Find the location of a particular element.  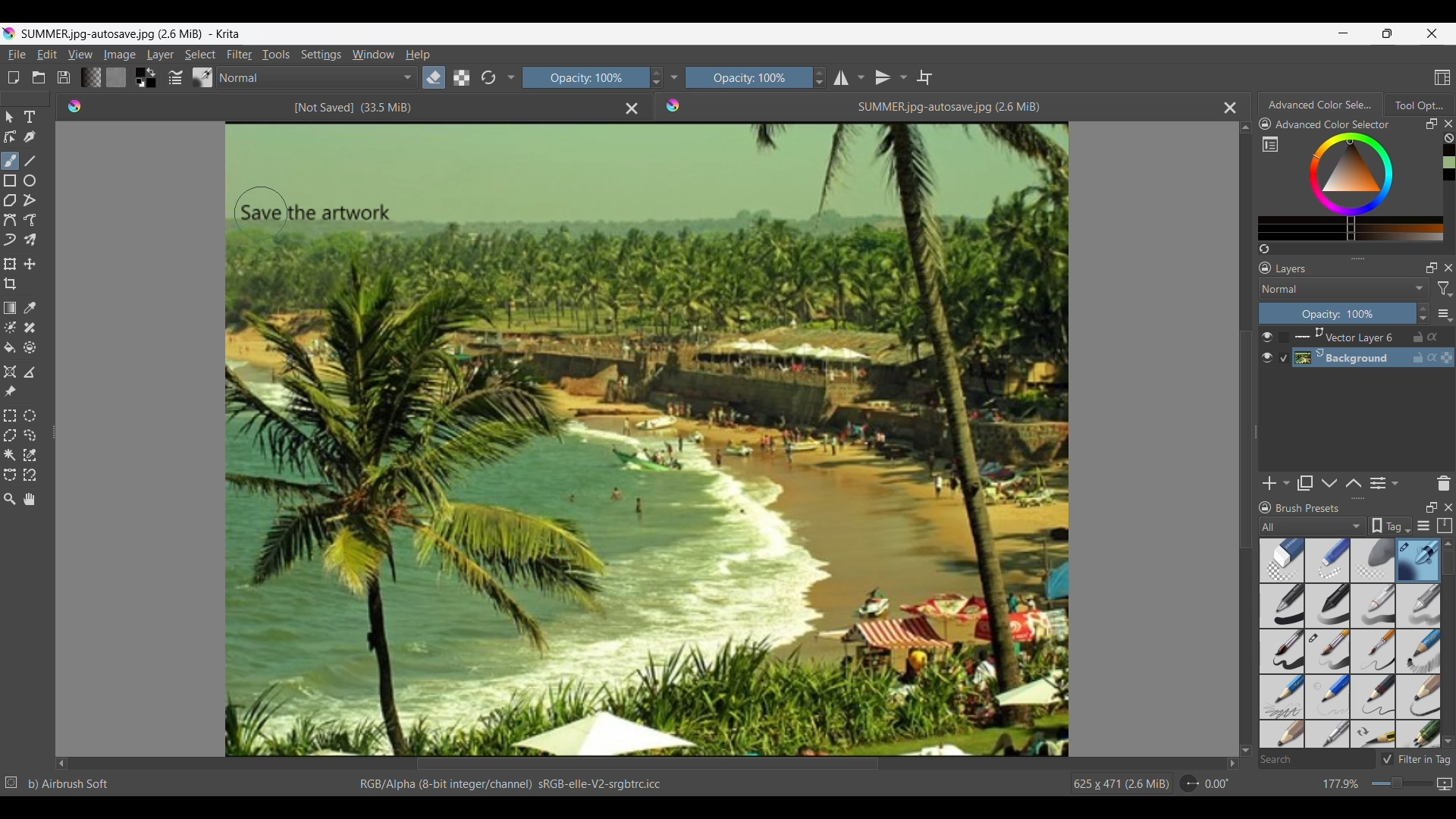

Move layer up is located at coordinates (1354, 482).